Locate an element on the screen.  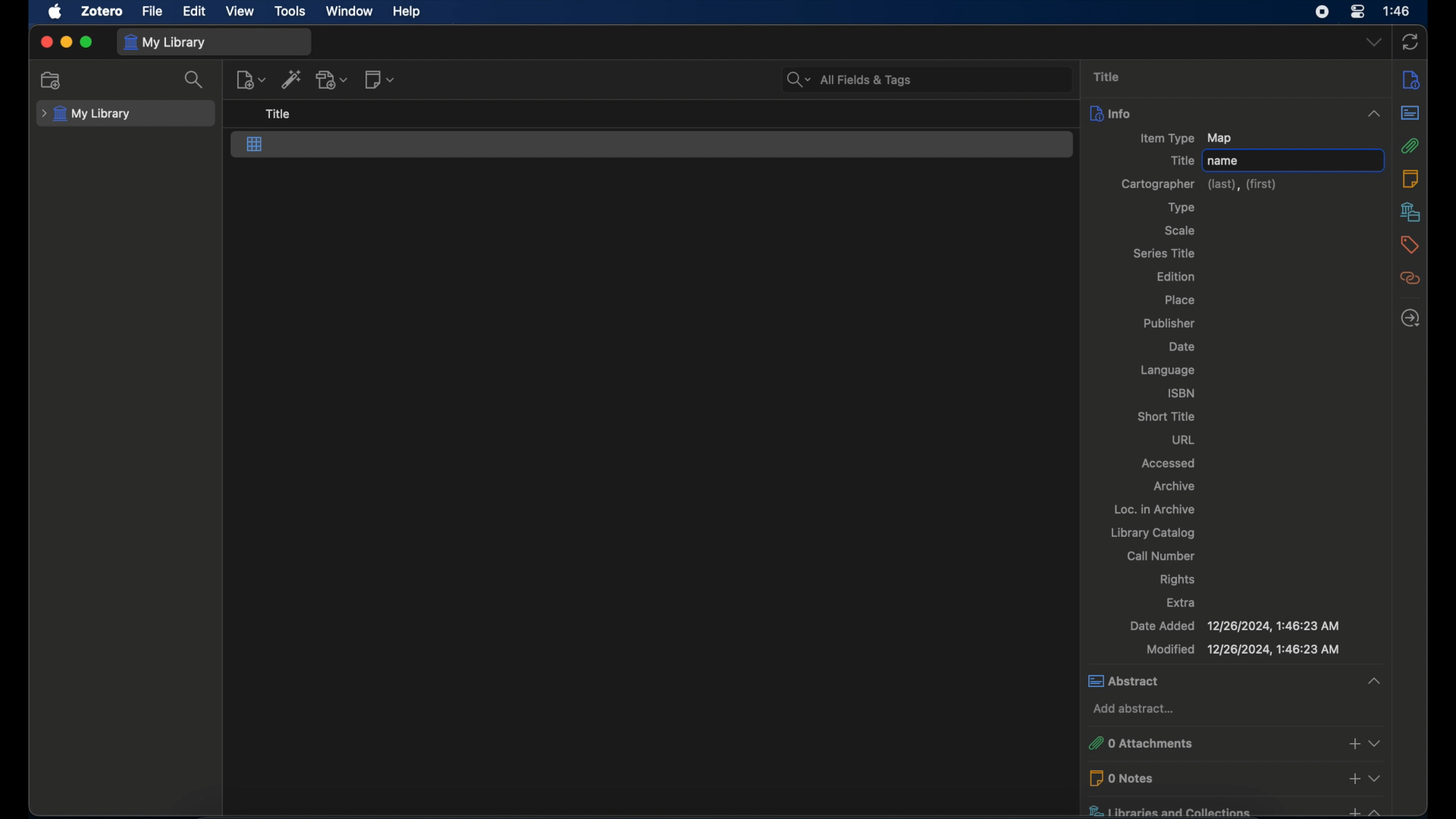
Collapse or expand  is located at coordinates (1376, 810).